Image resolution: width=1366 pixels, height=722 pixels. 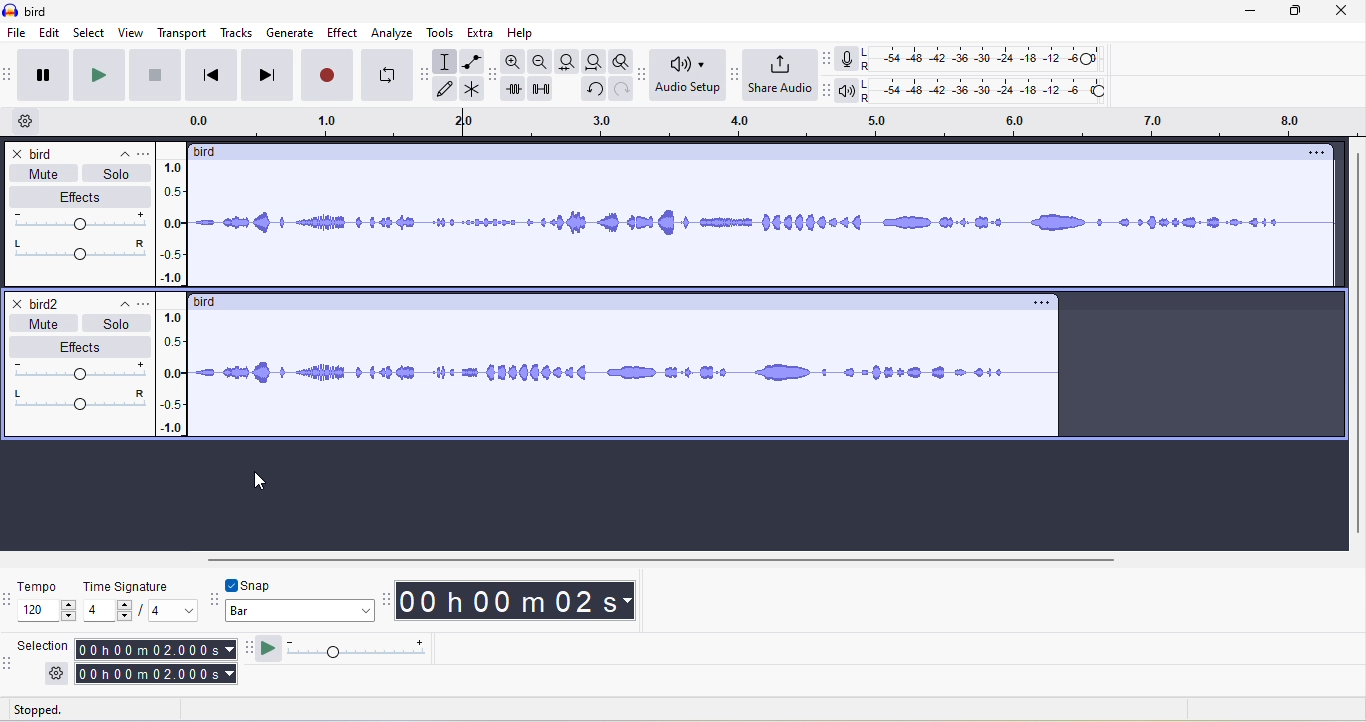 I want to click on tracks, so click(x=237, y=34).